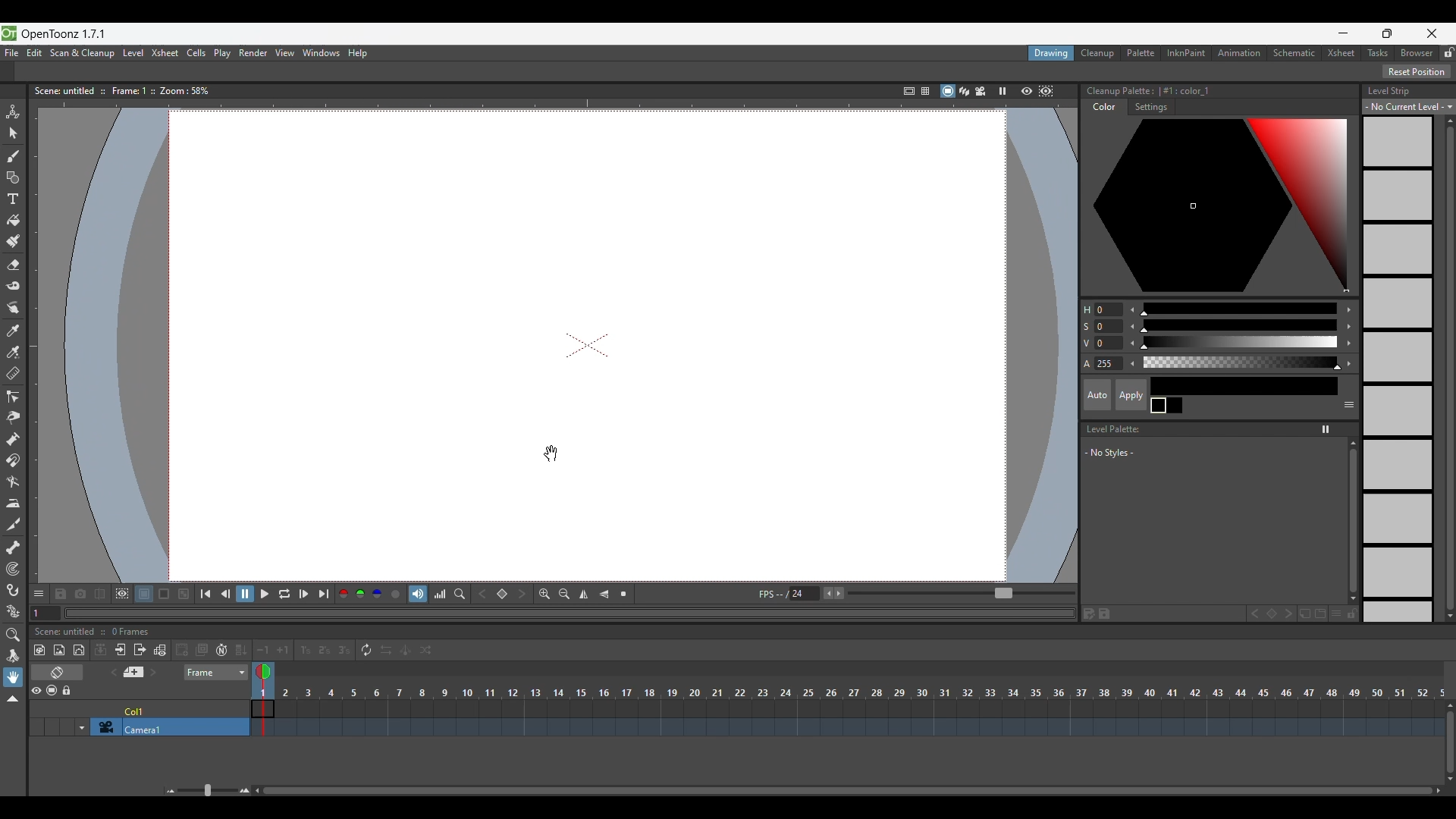 Image resolution: width=1456 pixels, height=819 pixels. I want to click on Animate tool, so click(12, 111).